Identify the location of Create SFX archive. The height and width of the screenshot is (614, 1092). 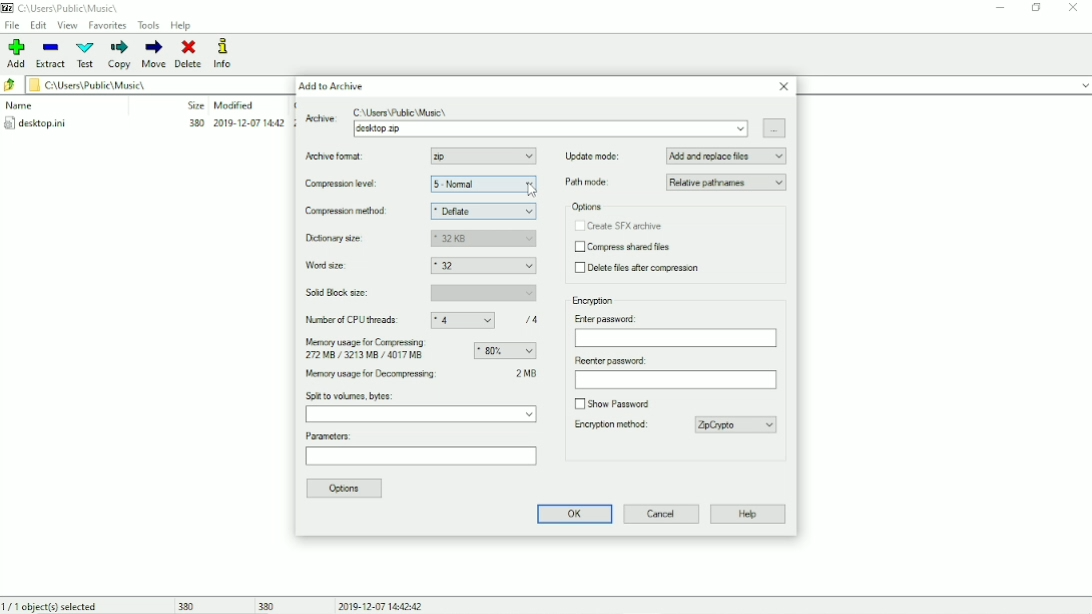
(618, 226).